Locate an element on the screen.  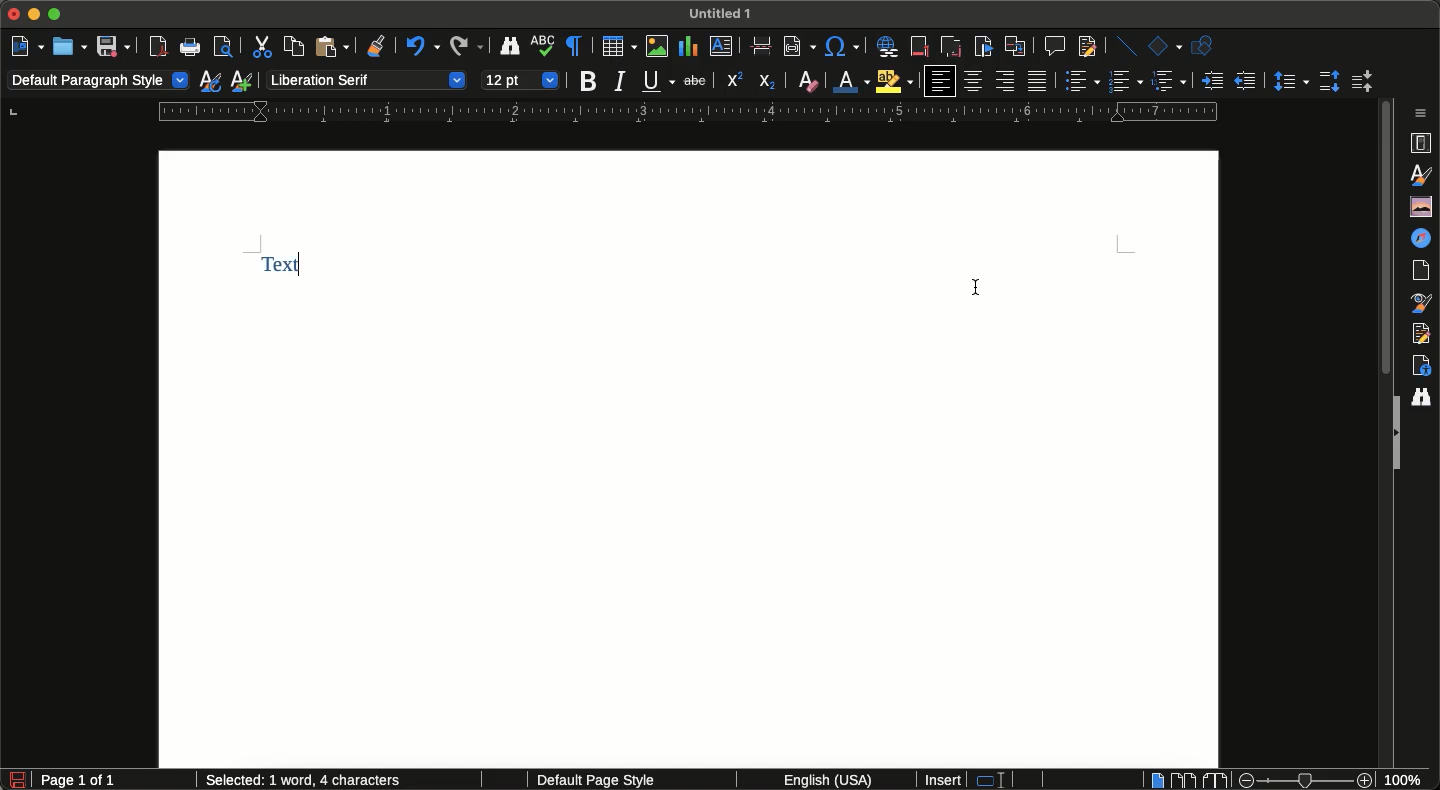
Center vertically  is located at coordinates (974, 81).